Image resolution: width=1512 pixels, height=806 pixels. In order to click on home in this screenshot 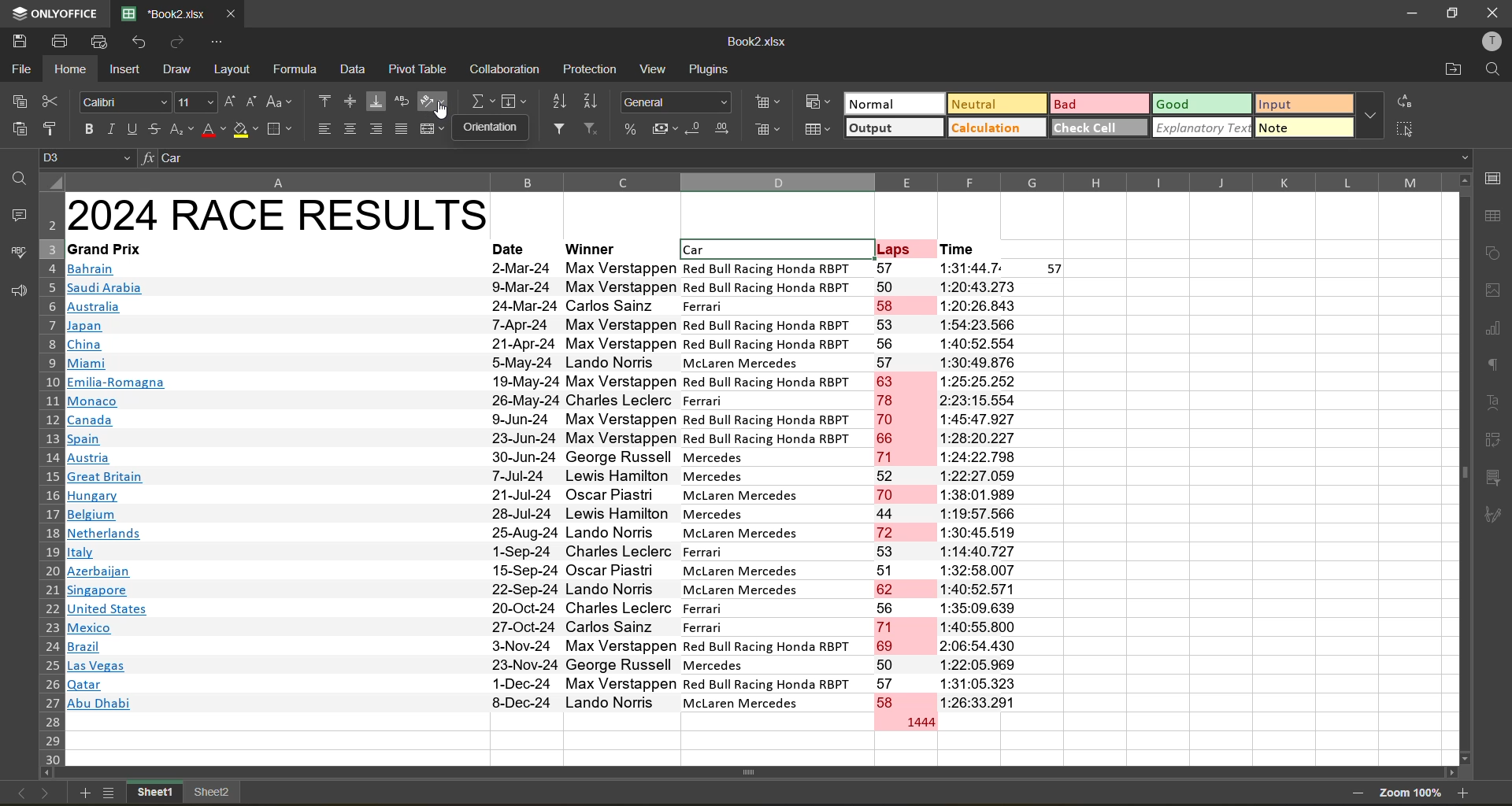, I will do `click(70, 69)`.